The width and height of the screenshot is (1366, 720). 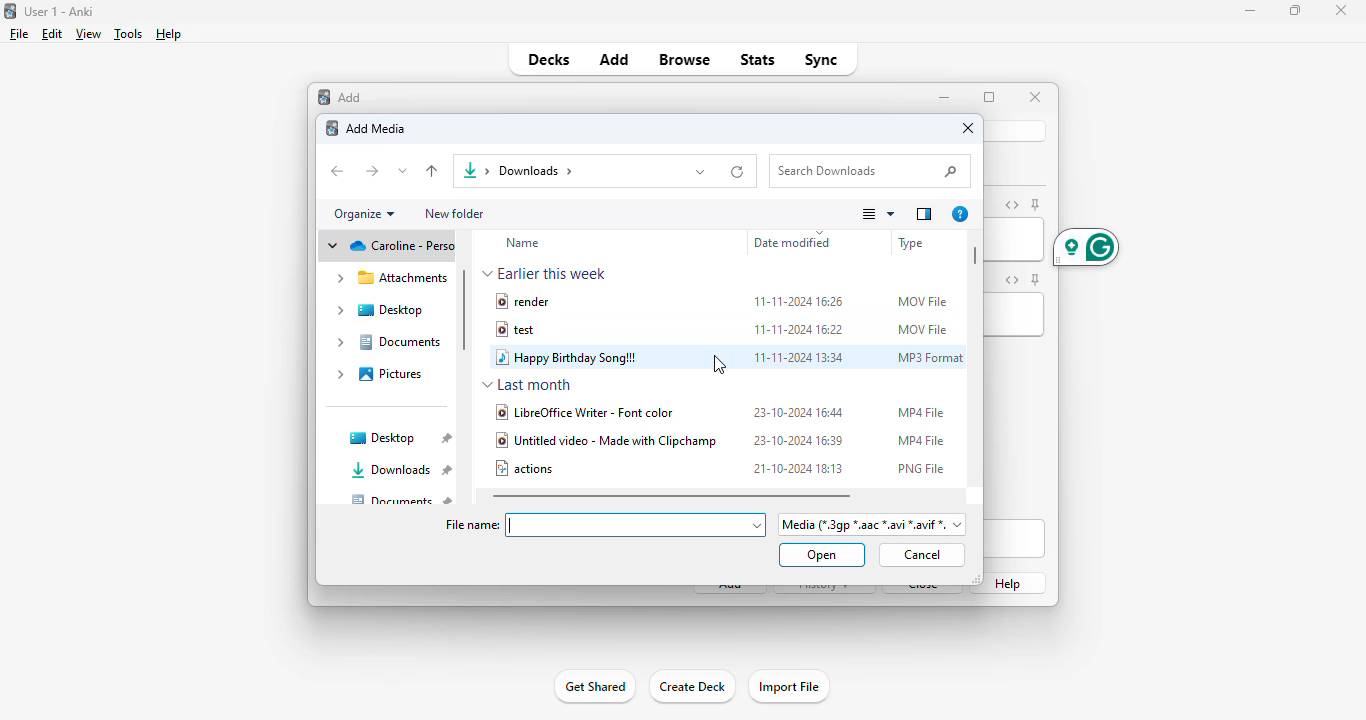 What do you see at coordinates (9, 11) in the screenshot?
I see `logo` at bounding box center [9, 11].